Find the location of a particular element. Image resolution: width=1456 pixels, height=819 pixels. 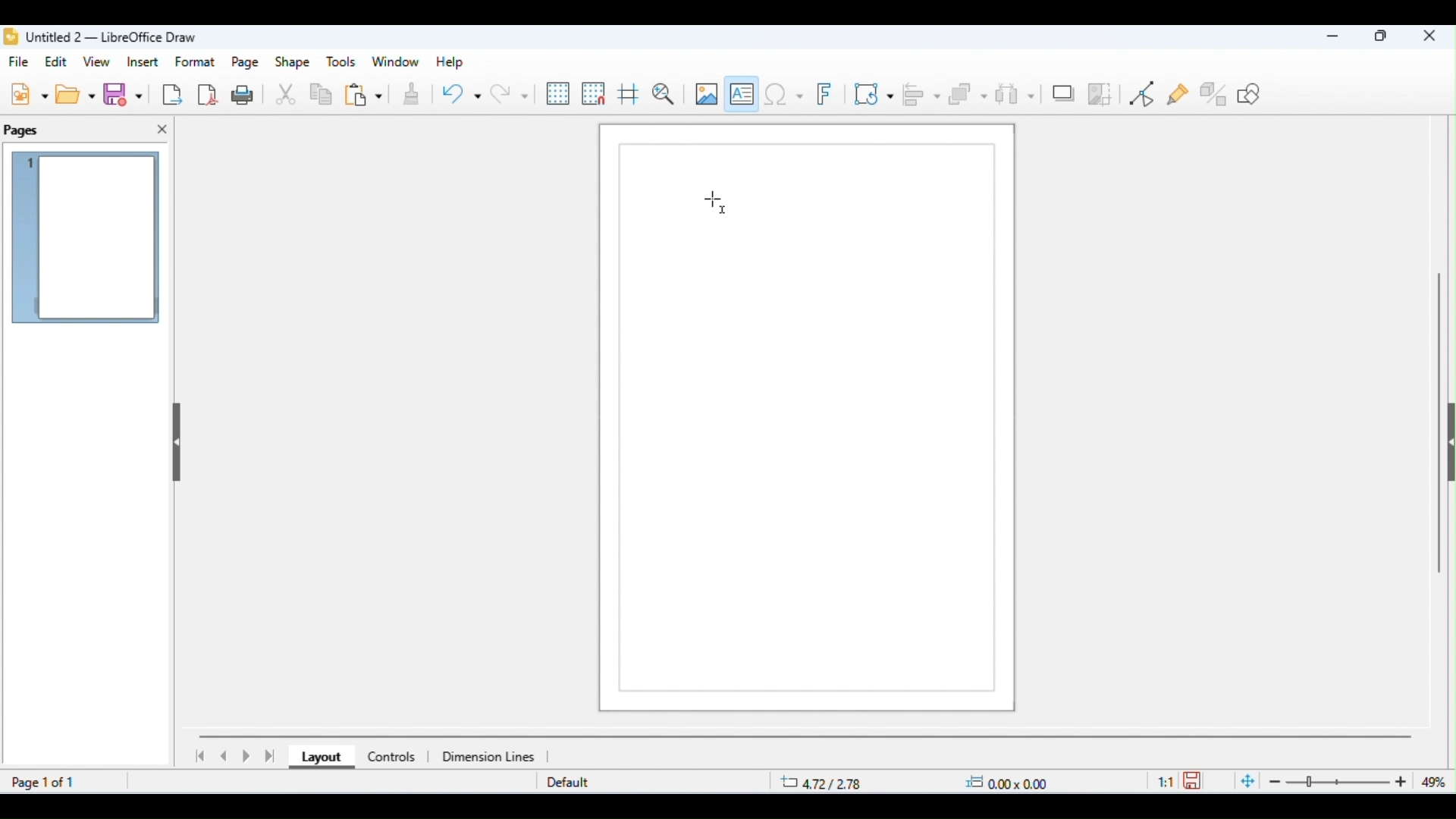

last page is located at coordinates (271, 756).